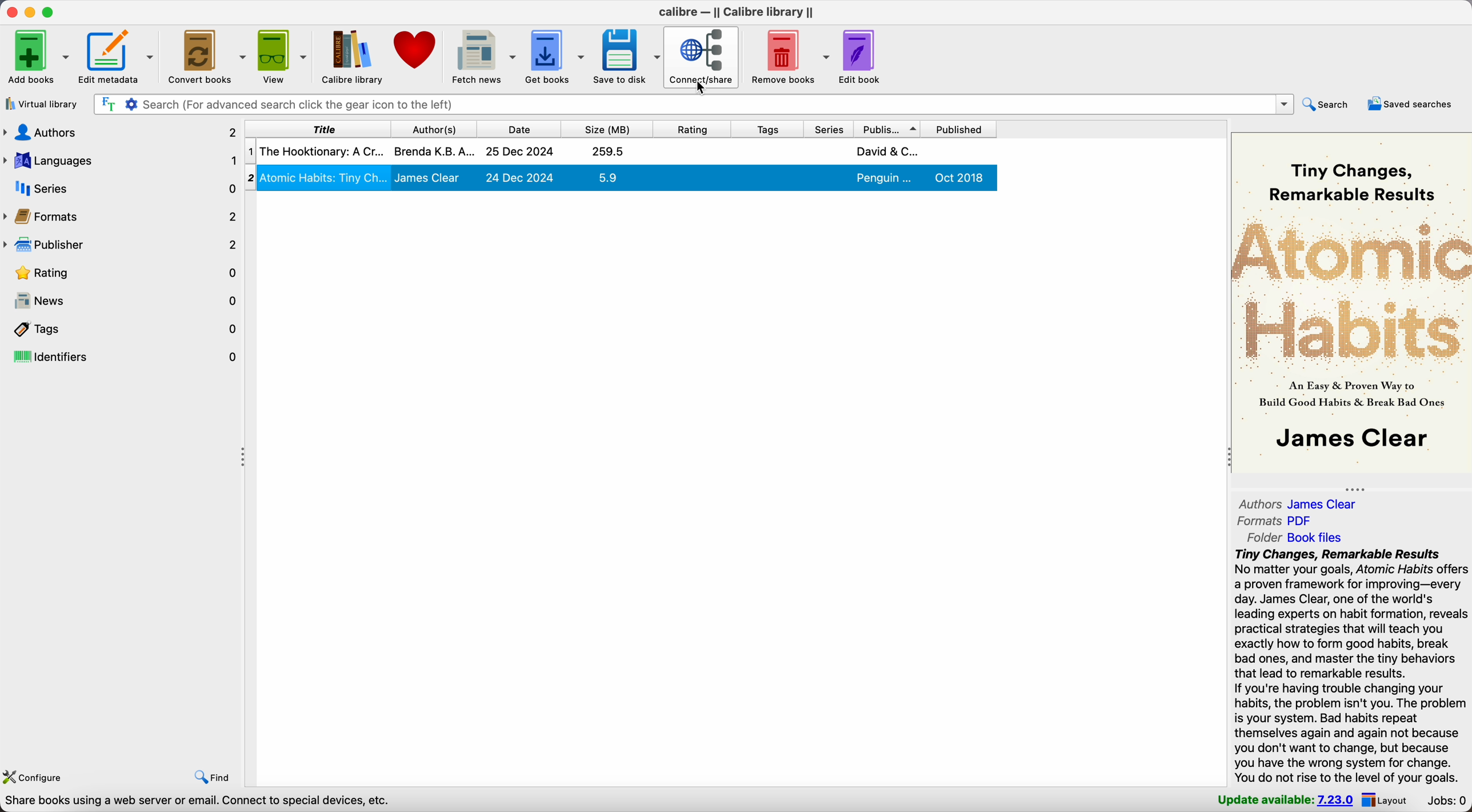 The image size is (1472, 812). Describe the element at coordinates (557, 56) in the screenshot. I see `get books` at that location.